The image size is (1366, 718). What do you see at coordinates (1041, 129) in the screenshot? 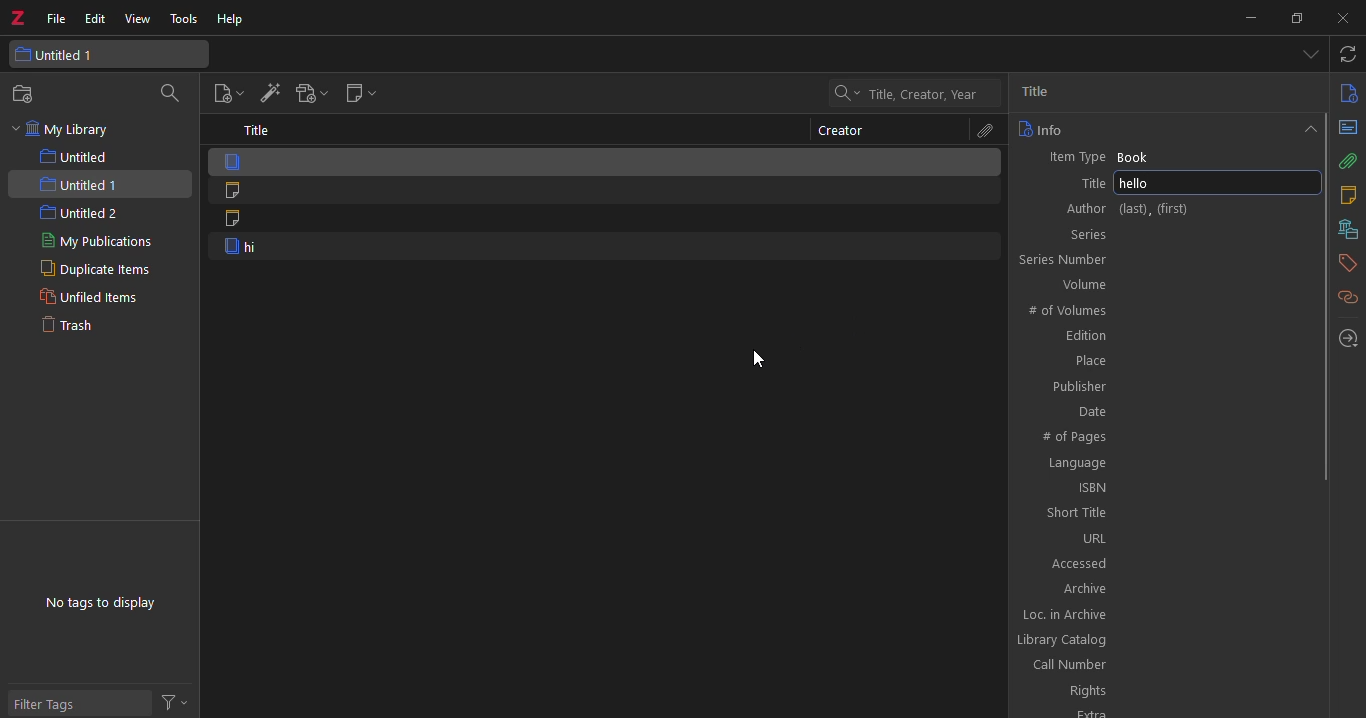
I see `info` at bounding box center [1041, 129].